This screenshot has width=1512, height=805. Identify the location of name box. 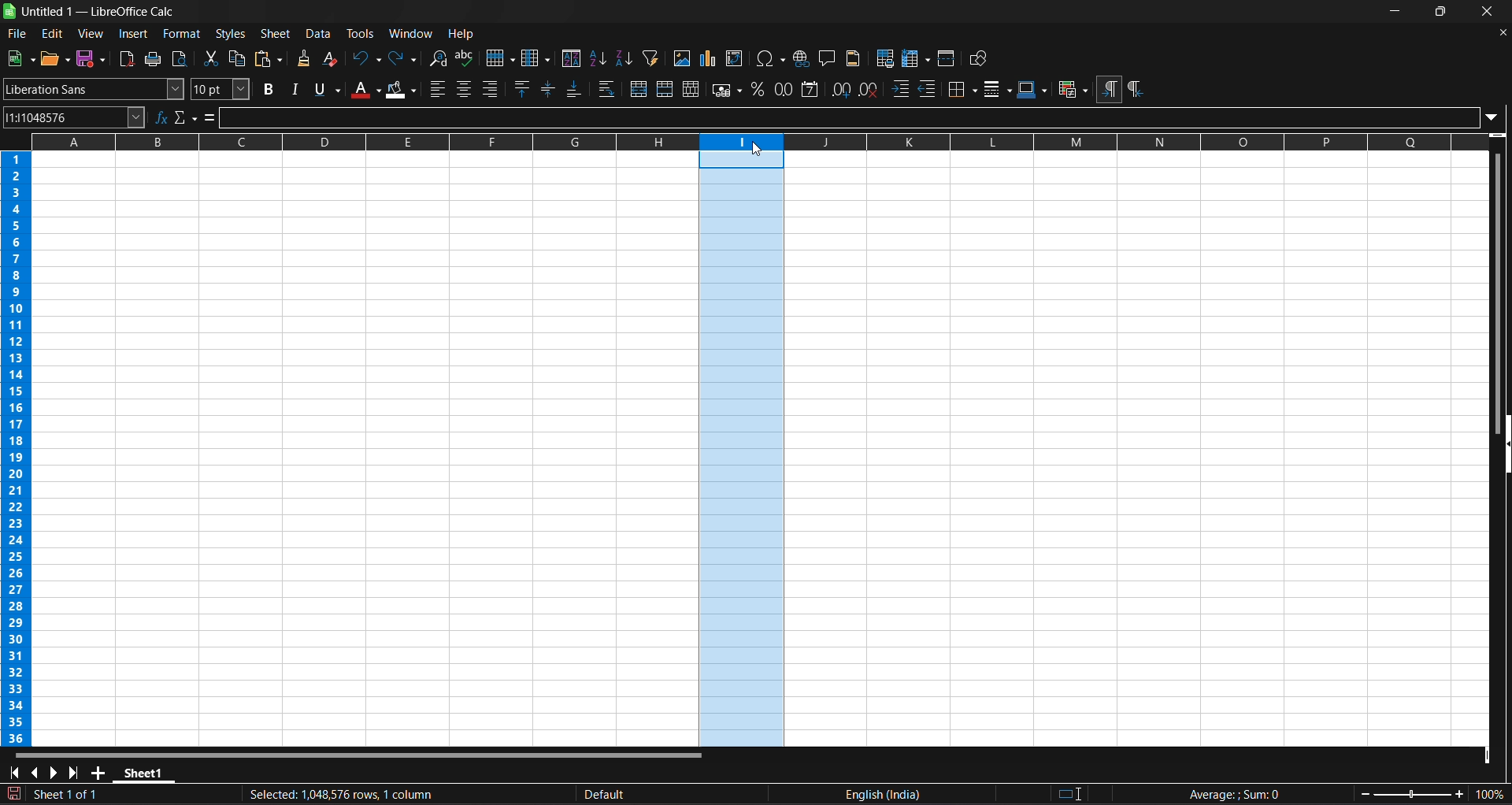
(75, 117).